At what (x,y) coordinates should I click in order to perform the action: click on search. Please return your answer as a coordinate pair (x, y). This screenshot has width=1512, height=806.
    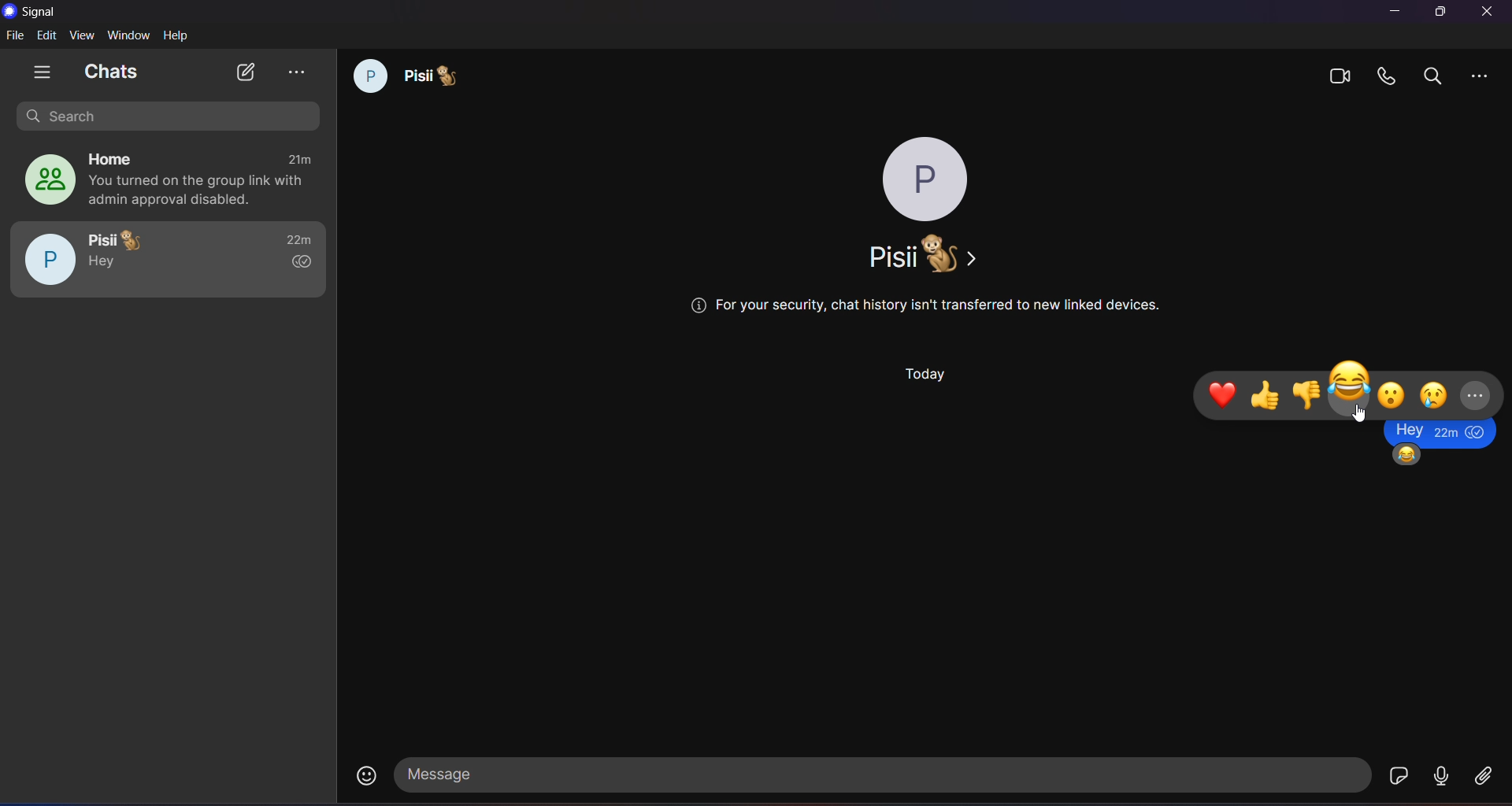
    Looking at the image, I should click on (1436, 75).